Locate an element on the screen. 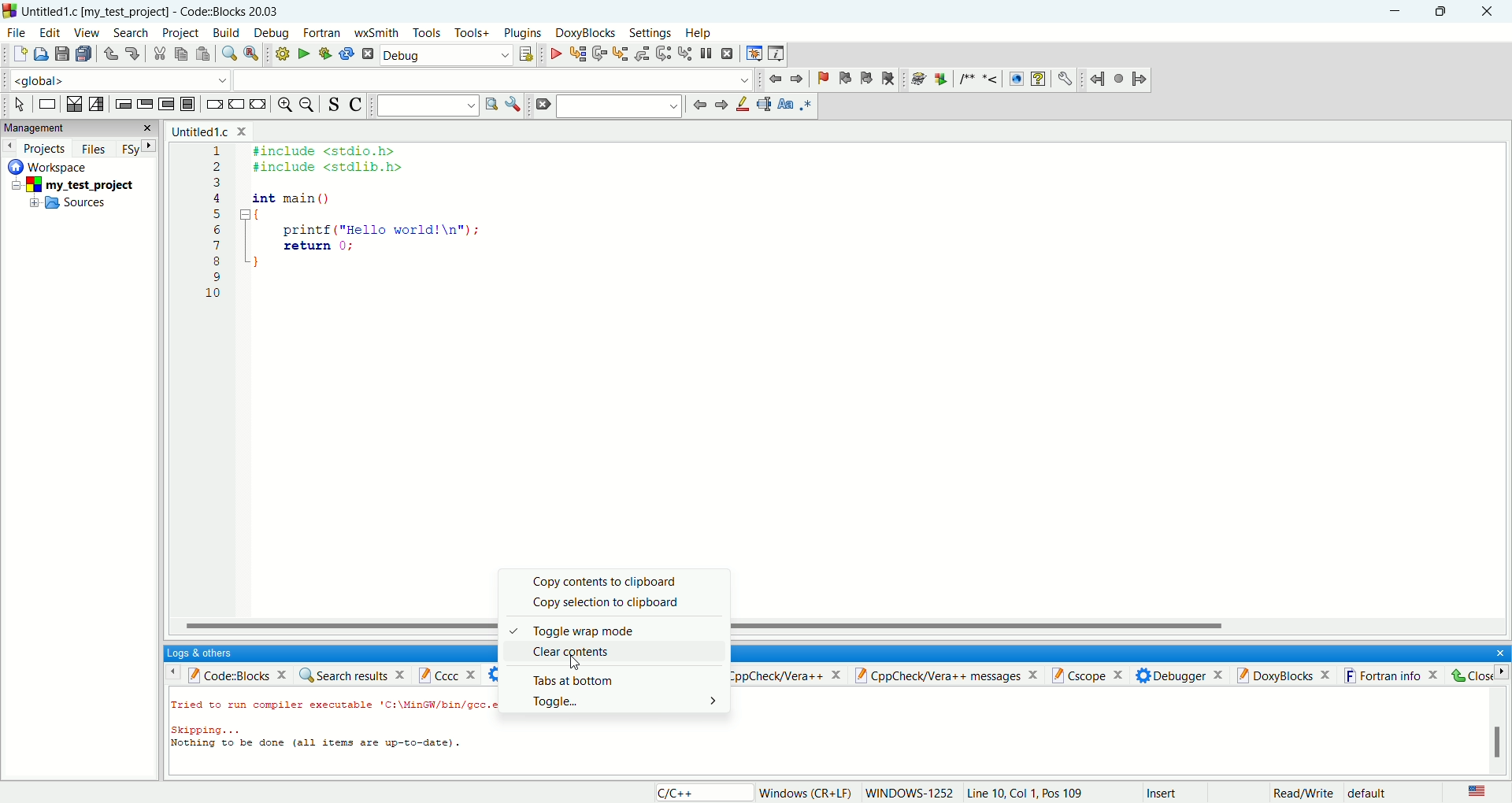 This screenshot has width=1512, height=803. WINDOWS-1252 is located at coordinates (910, 793).